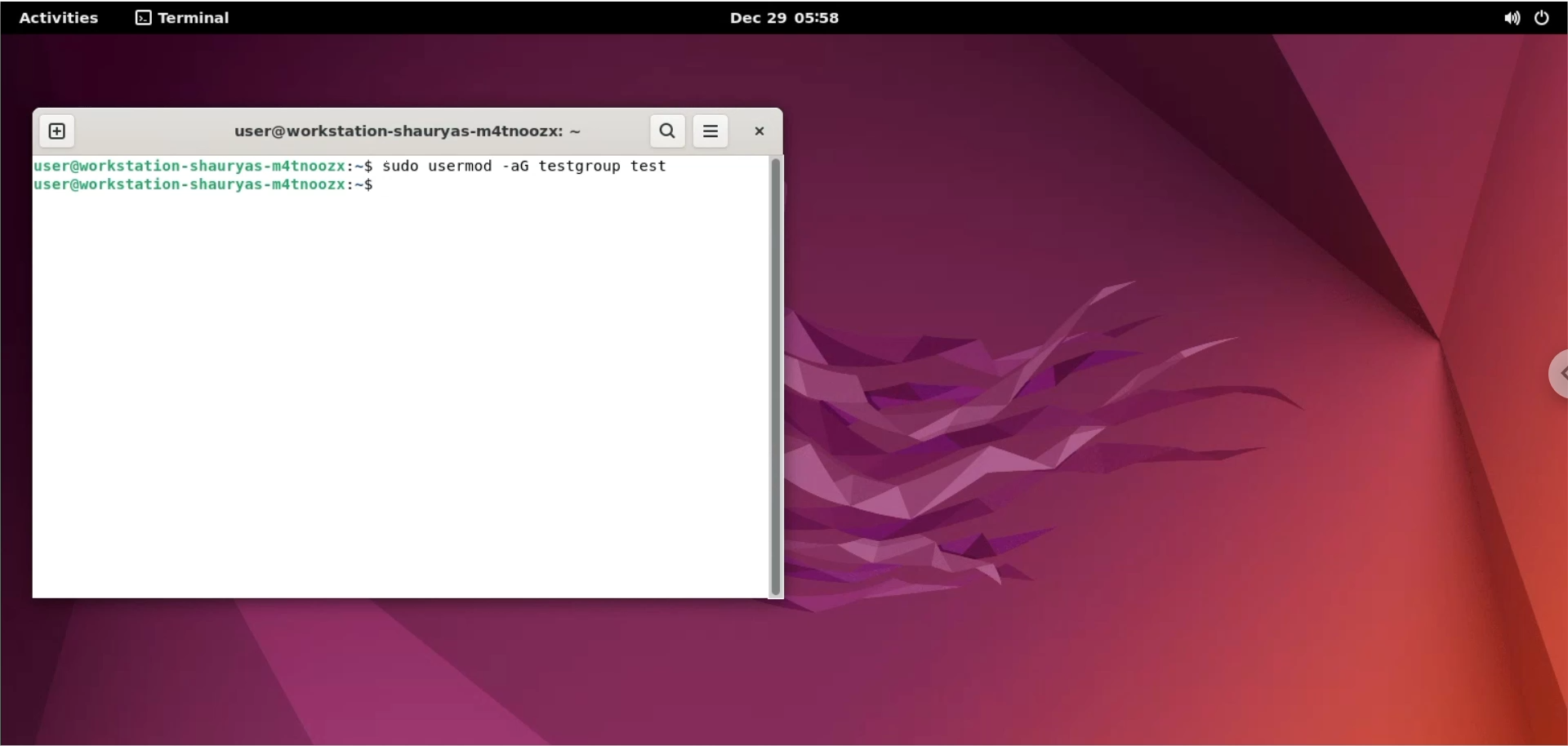  I want to click on Dec 29 05:58, so click(791, 20).